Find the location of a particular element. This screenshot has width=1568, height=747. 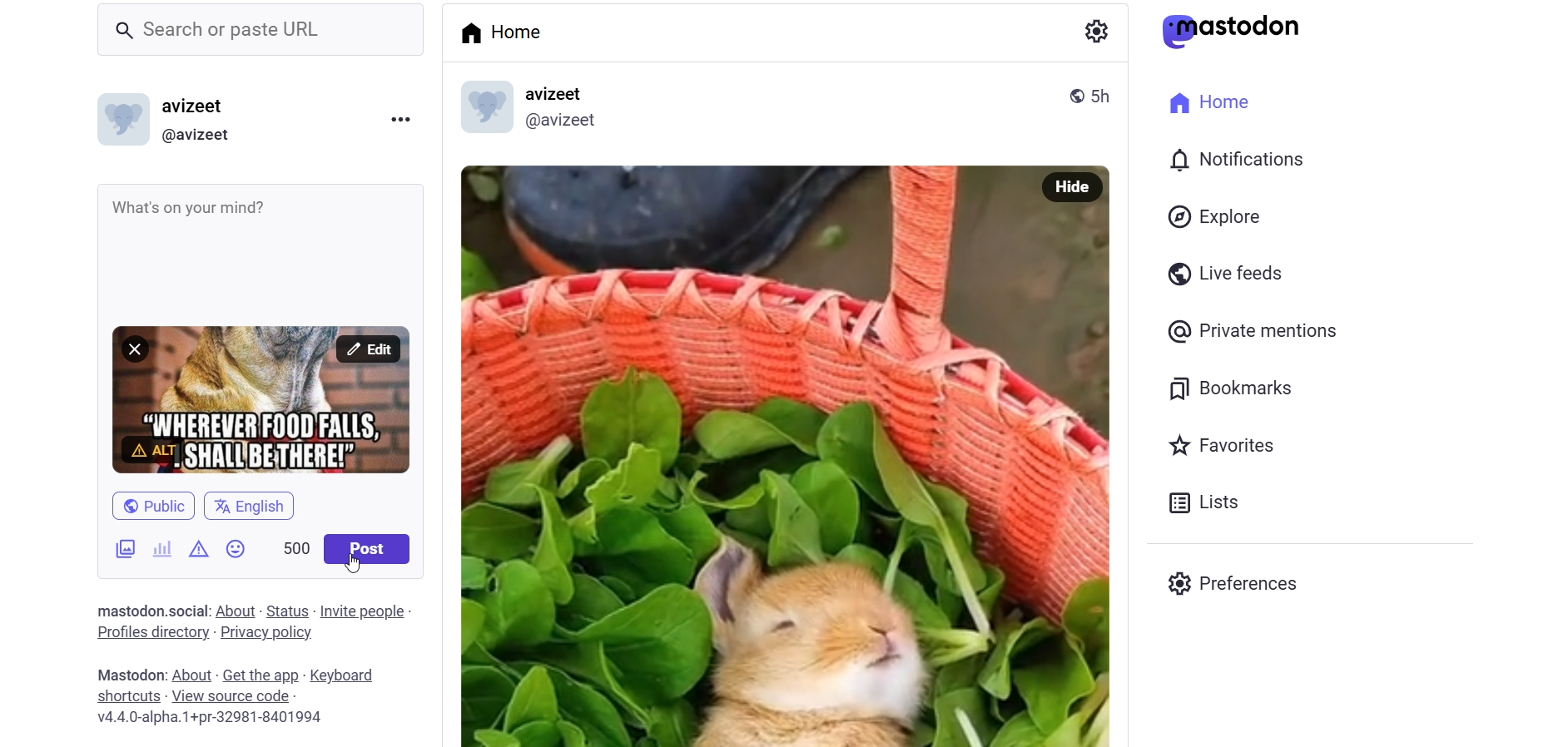

hide is located at coordinates (1078, 186).